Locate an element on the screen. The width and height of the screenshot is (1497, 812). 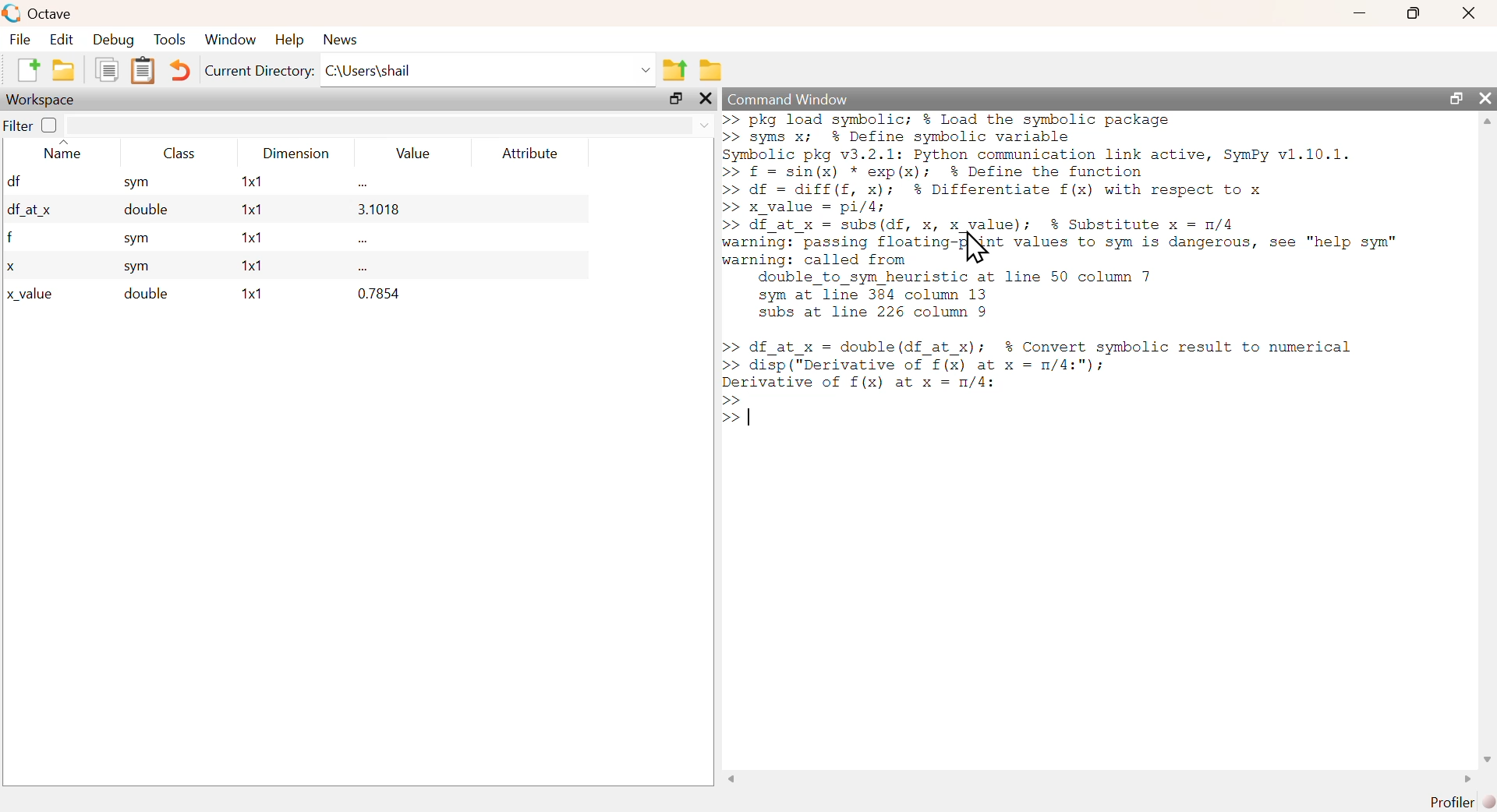
Workspace; is located at coordinates (41, 100).